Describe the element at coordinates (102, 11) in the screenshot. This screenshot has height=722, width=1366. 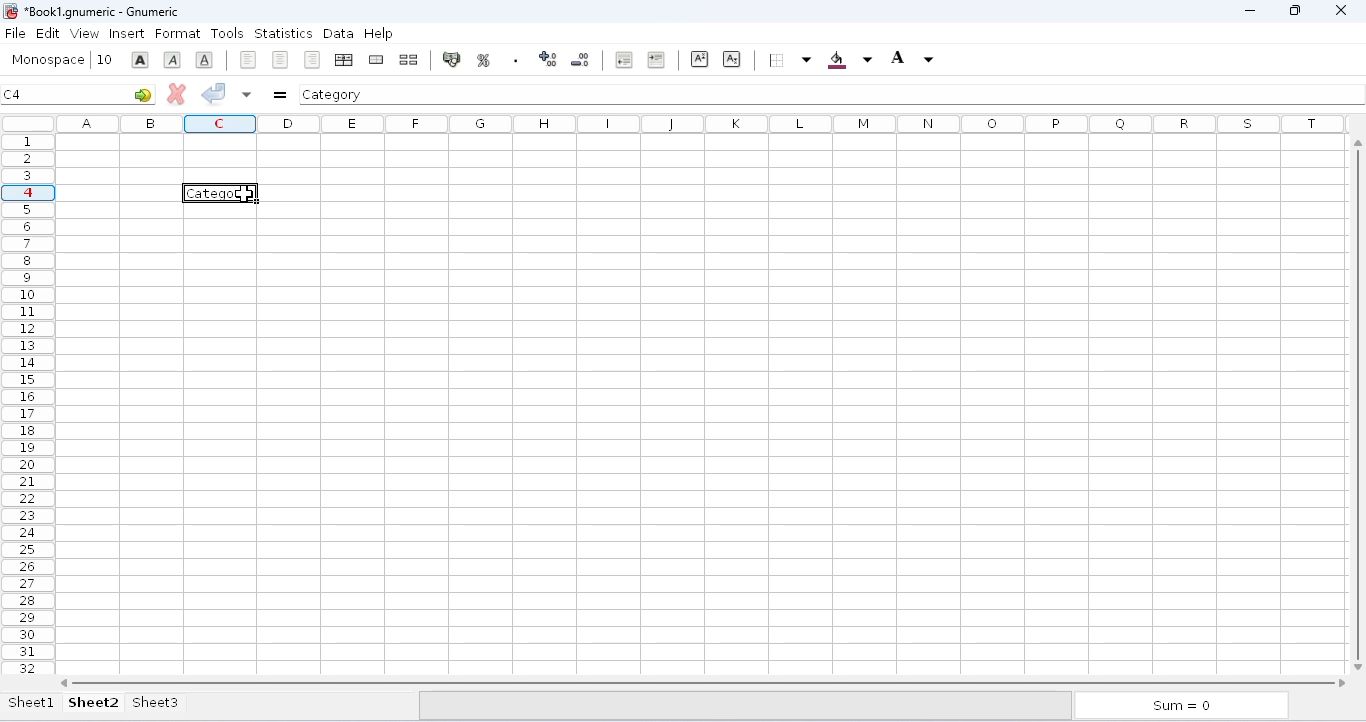
I see `title` at that location.